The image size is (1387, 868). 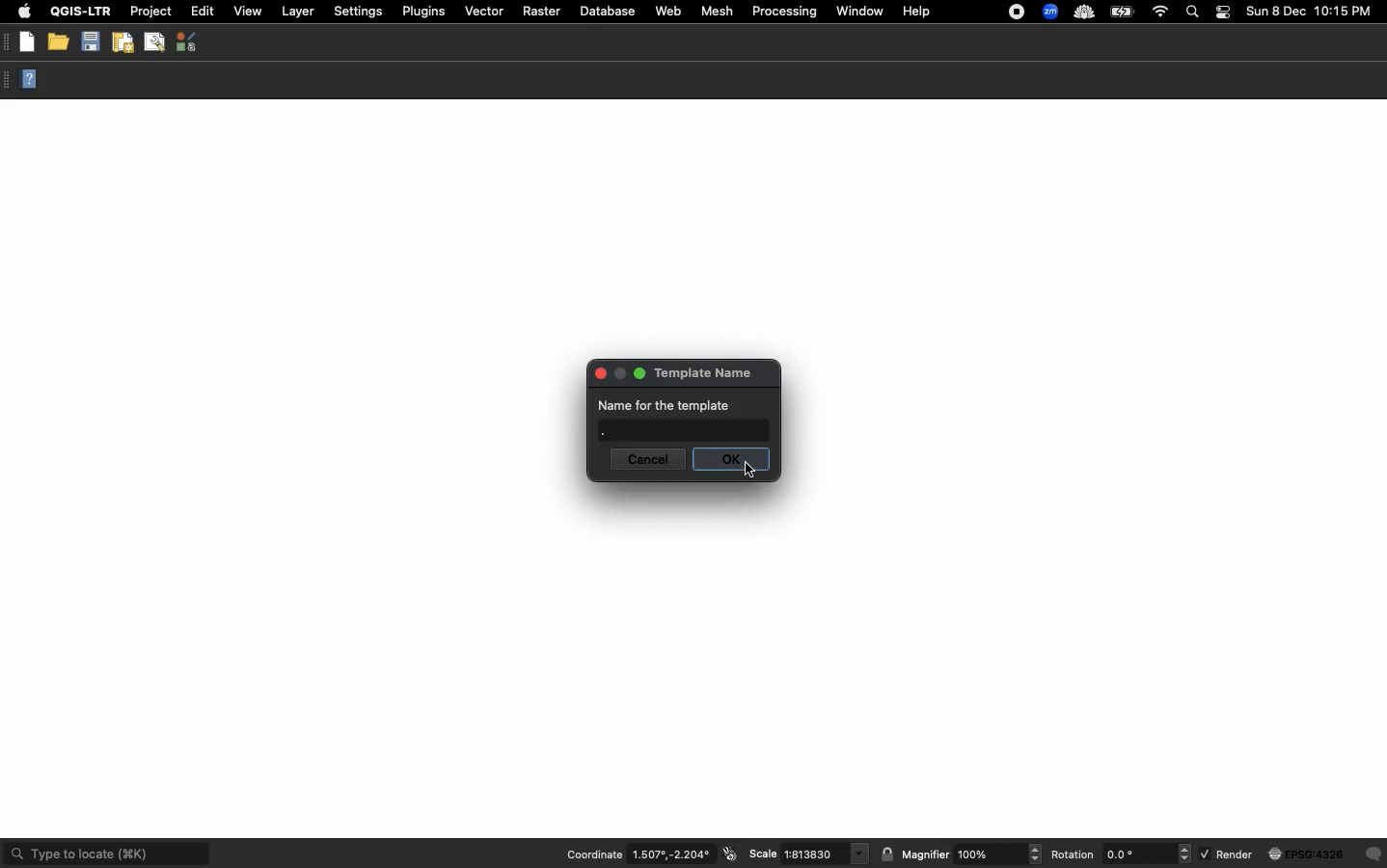 What do you see at coordinates (187, 42) in the screenshot?
I see `Style manager ` at bounding box center [187, 42].